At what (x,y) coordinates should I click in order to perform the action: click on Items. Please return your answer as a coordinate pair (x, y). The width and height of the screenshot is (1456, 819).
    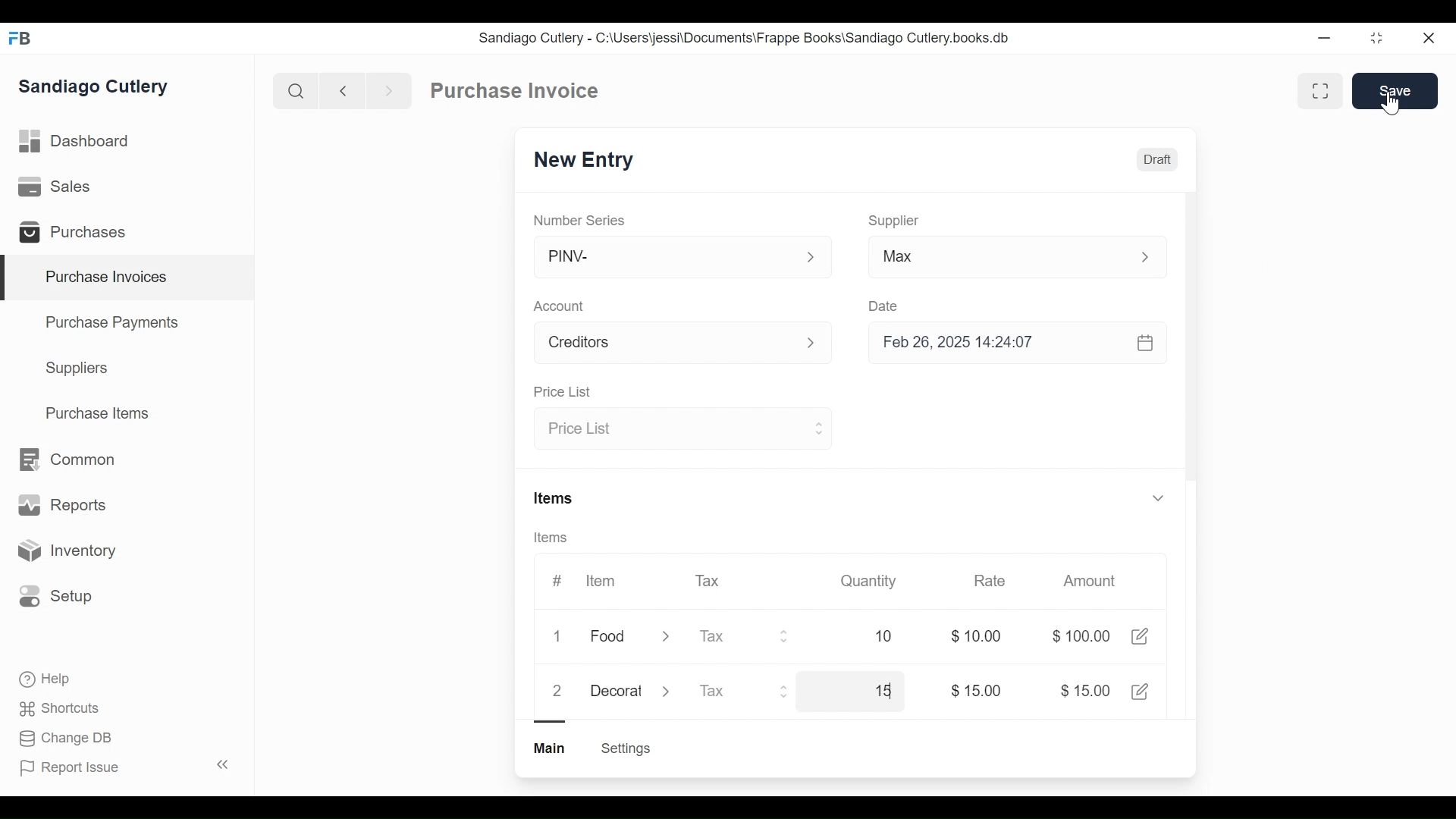
    Looking at the image, I should click on (555, 500).